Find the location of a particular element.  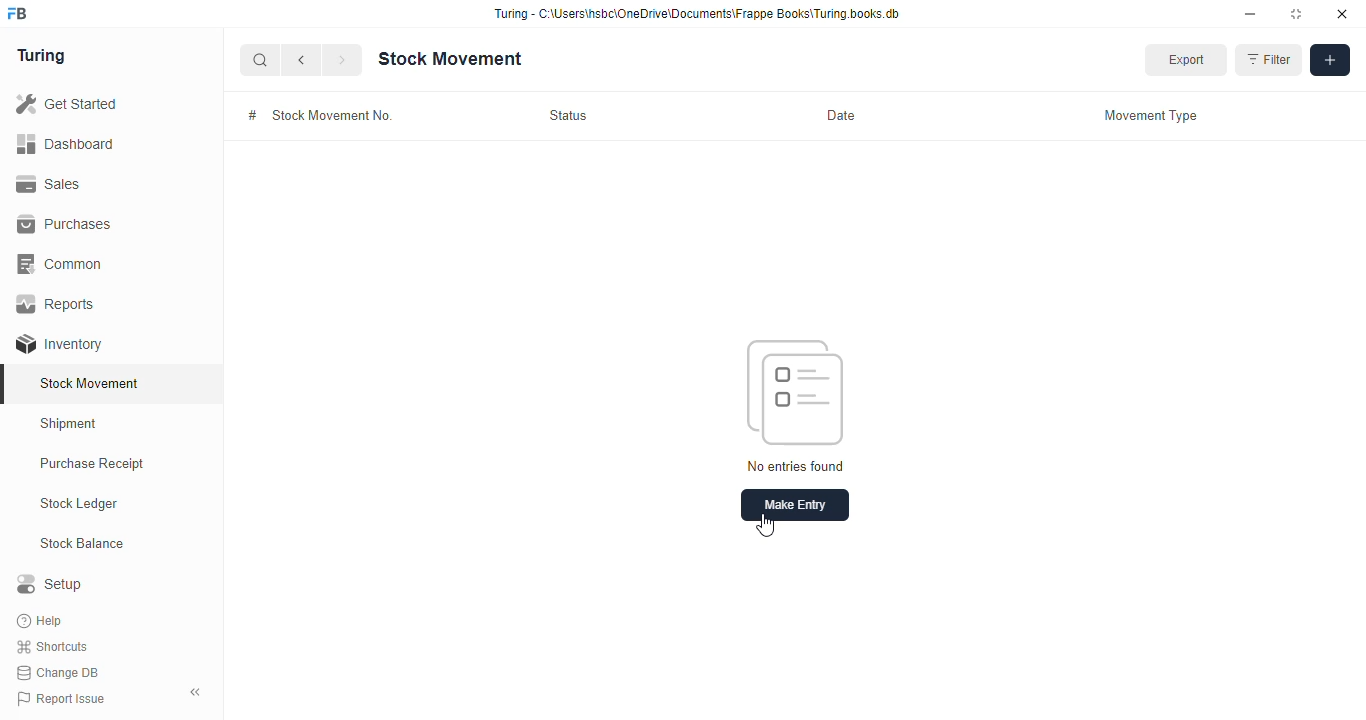

cursor is located at coordinates (766, 525).